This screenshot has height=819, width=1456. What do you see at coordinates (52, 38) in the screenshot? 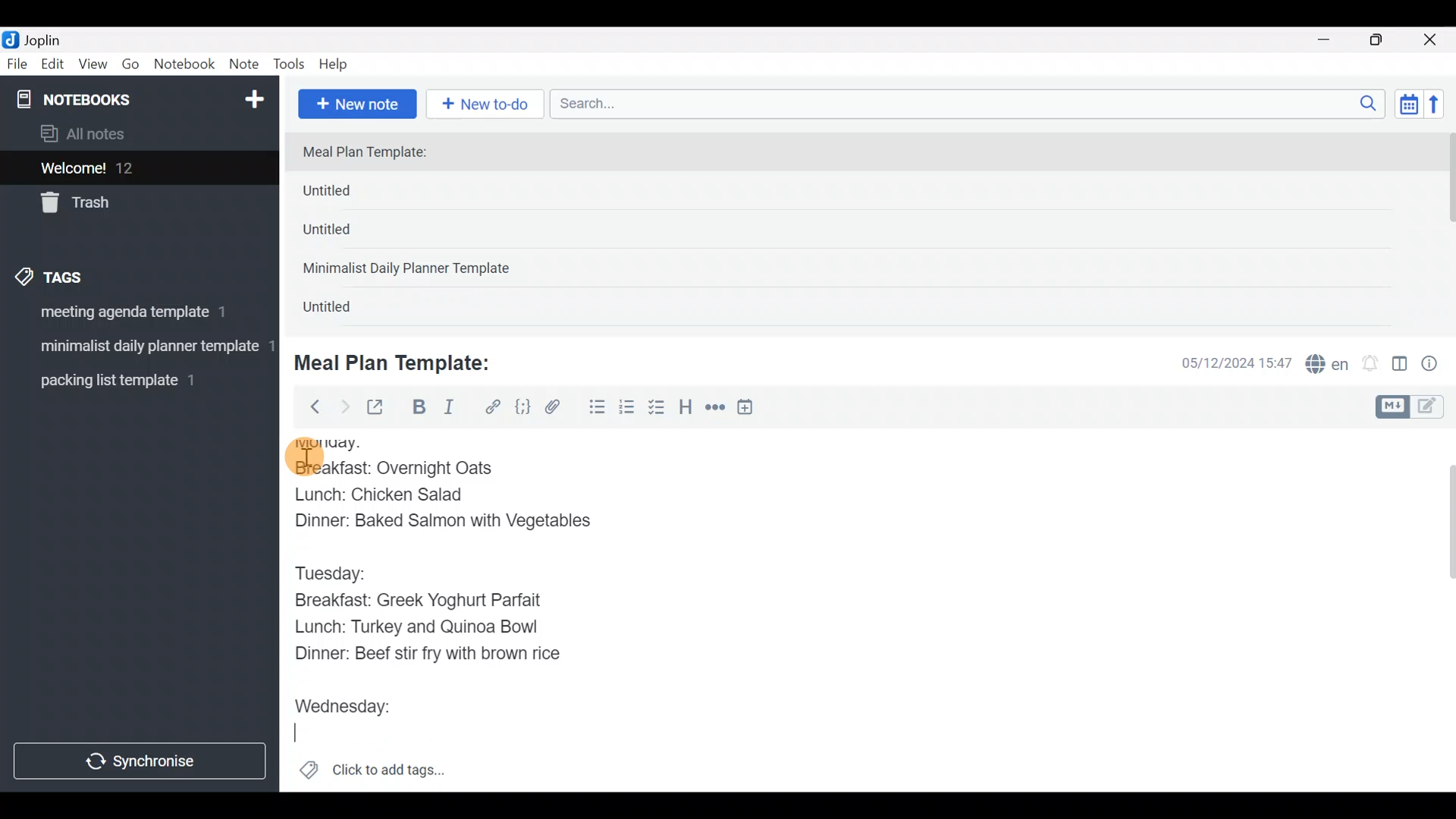
I see `Joplin` at bounding box center [52, 38].